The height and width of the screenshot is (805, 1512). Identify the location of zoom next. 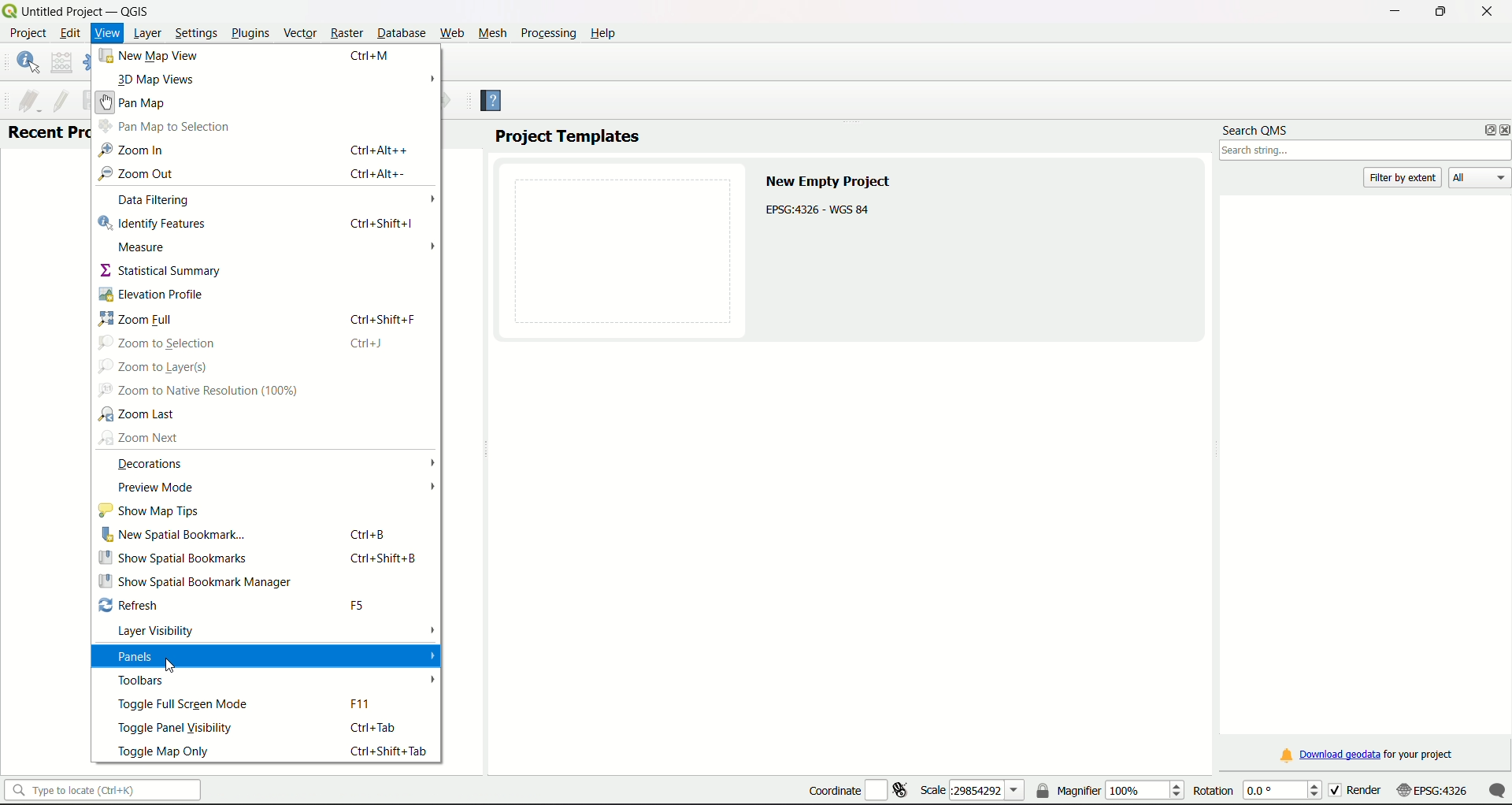
(139, 438).